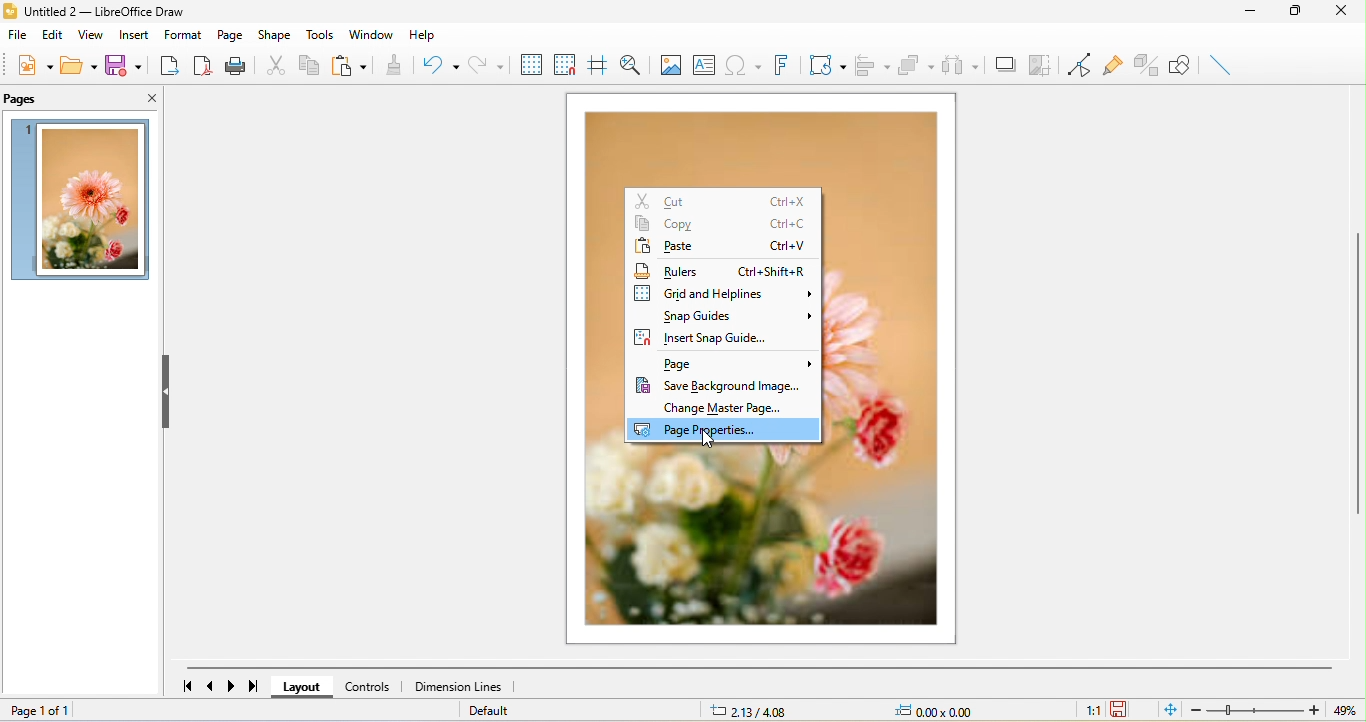 This screenshot has width=1366, height=722. What do you see at coordinates (1271, 710) in the screenshot?
I see `zoom` at bounding box center [1271, 710].